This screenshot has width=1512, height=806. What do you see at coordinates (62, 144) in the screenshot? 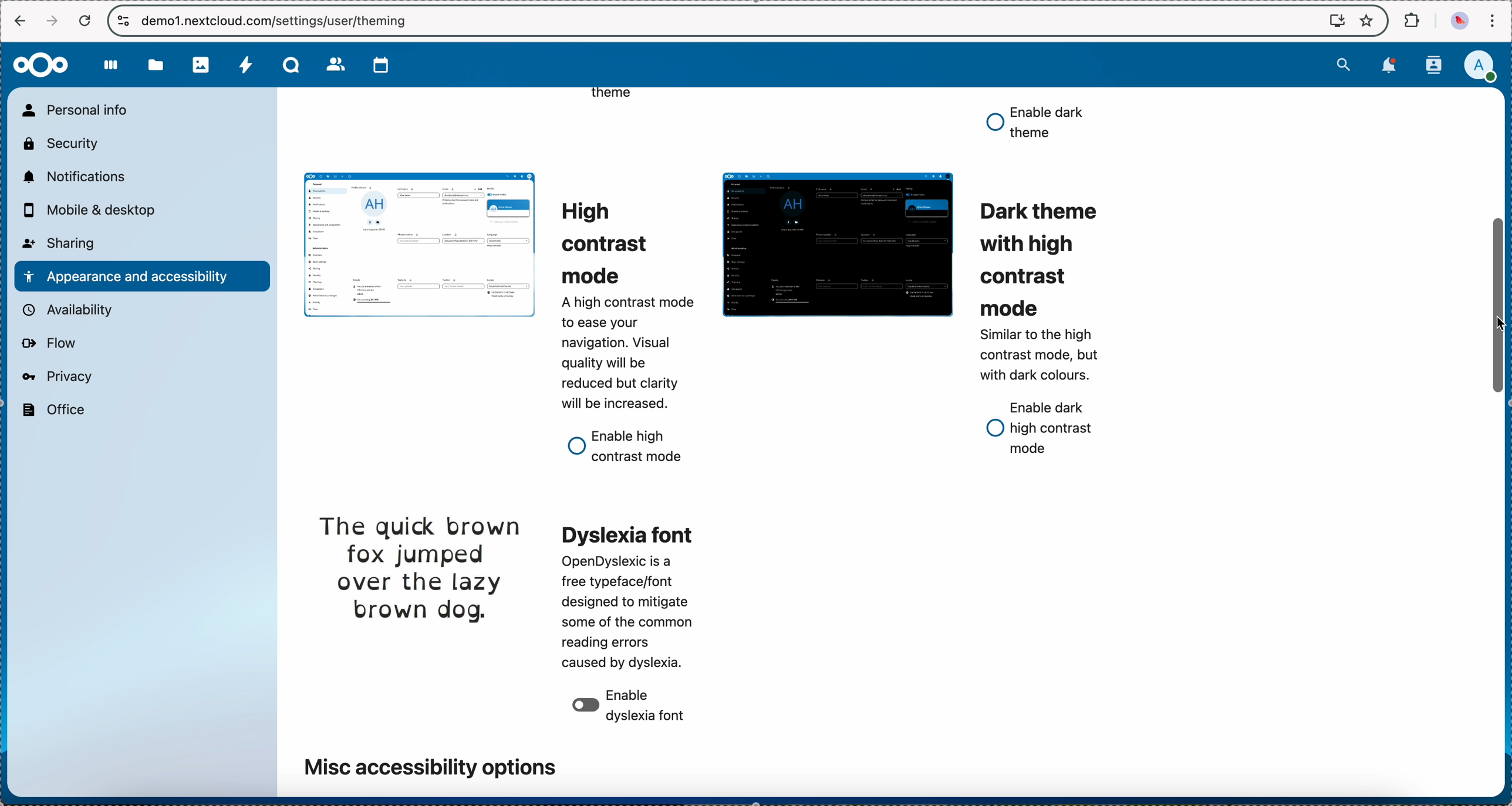
I see `security` at bounding box center [62, 144].